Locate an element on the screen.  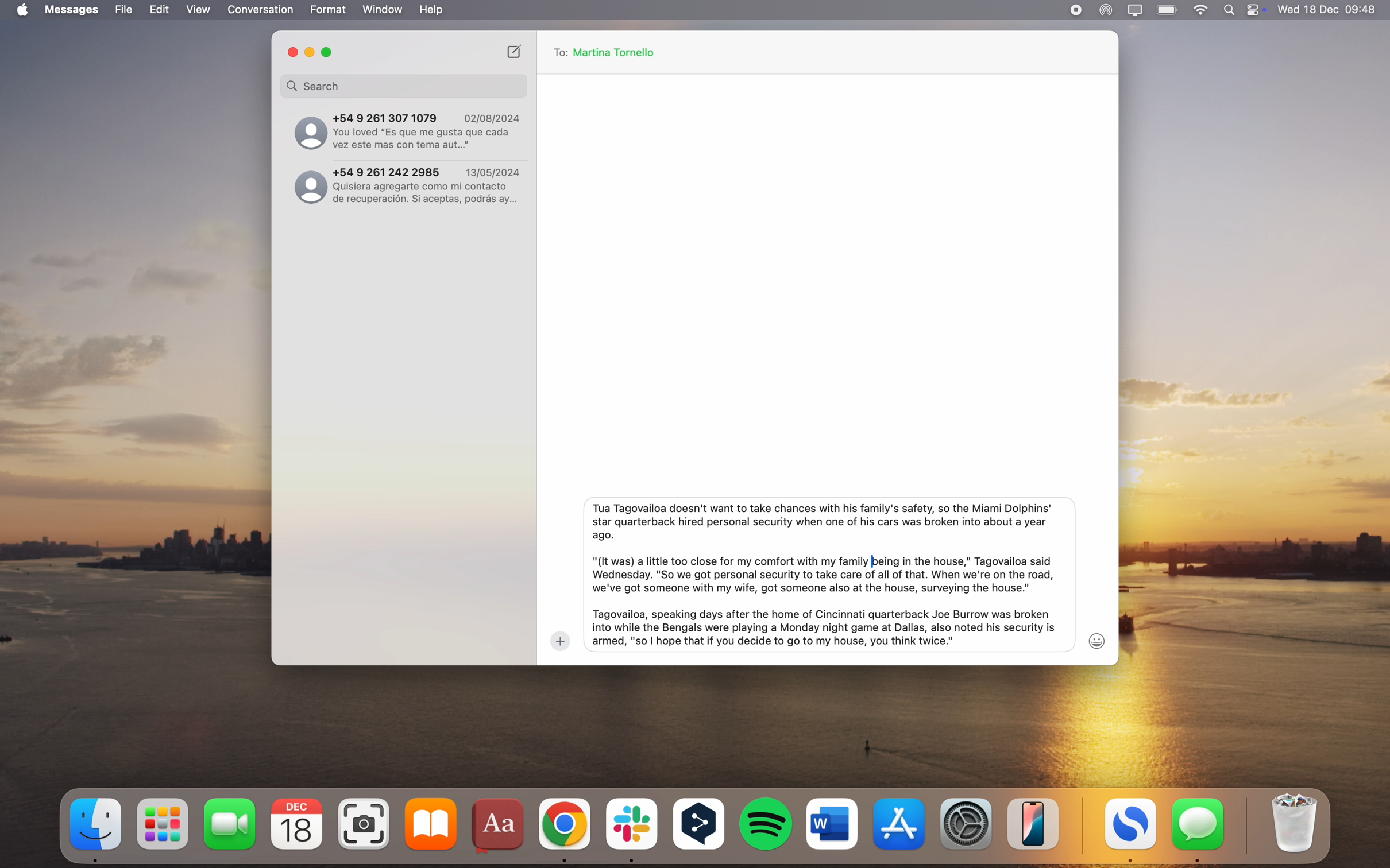
iBooks is located at coordinates (431, 824).